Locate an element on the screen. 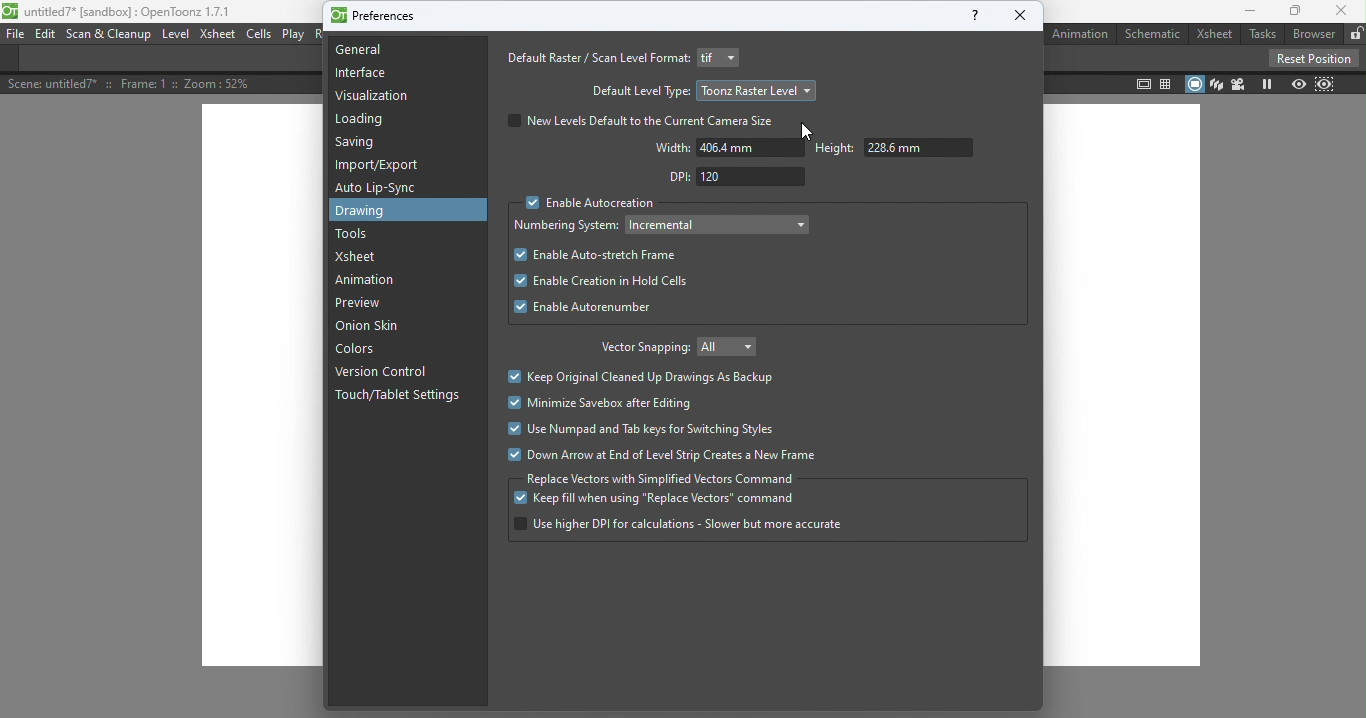  New levels default to the current camera size is located at coordinates (640, 123).